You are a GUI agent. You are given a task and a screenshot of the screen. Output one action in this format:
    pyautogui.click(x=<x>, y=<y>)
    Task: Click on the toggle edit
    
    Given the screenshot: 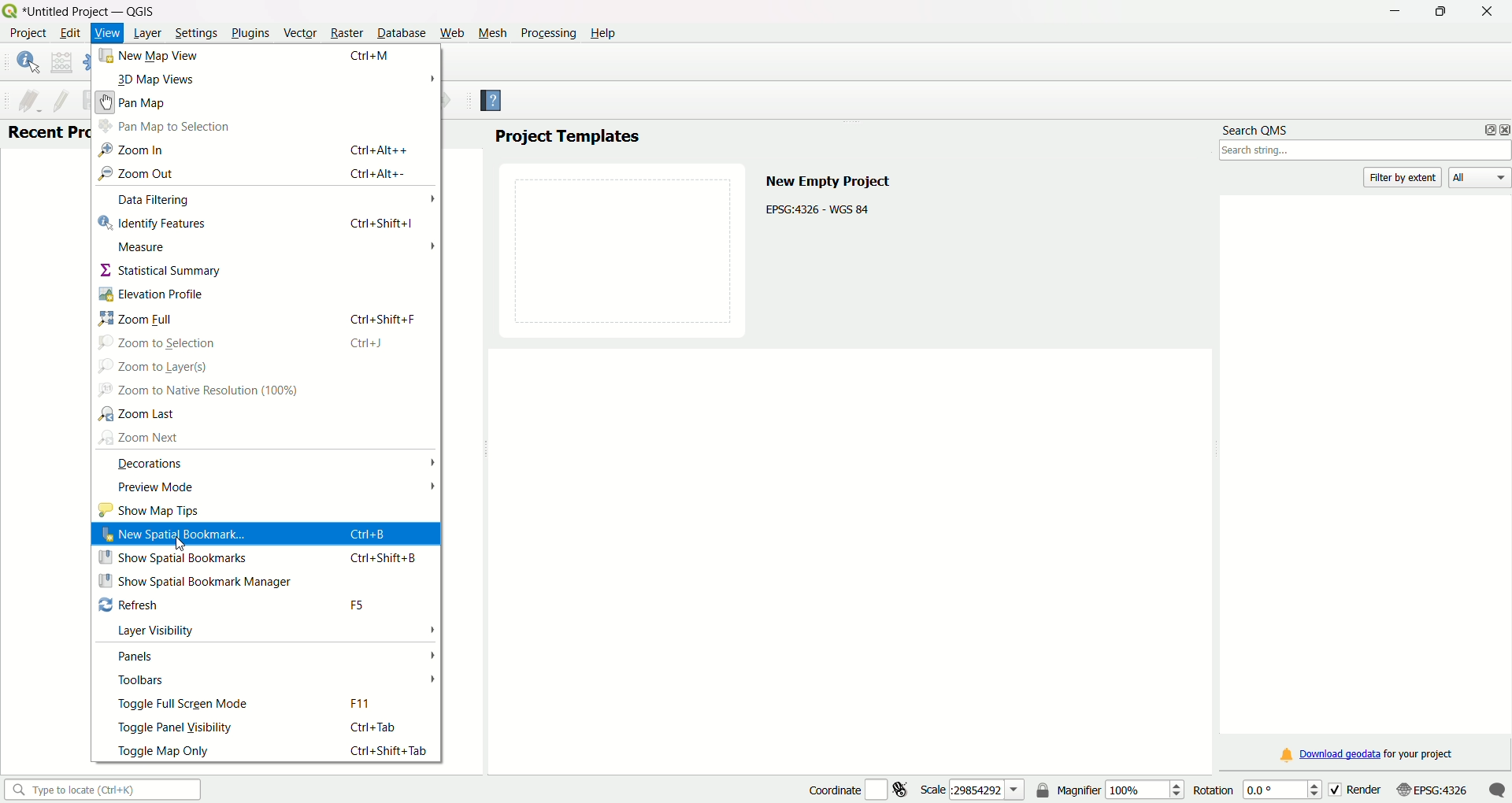 What is the action you would take?
    pyautogui.click(x=61, y=99)
    